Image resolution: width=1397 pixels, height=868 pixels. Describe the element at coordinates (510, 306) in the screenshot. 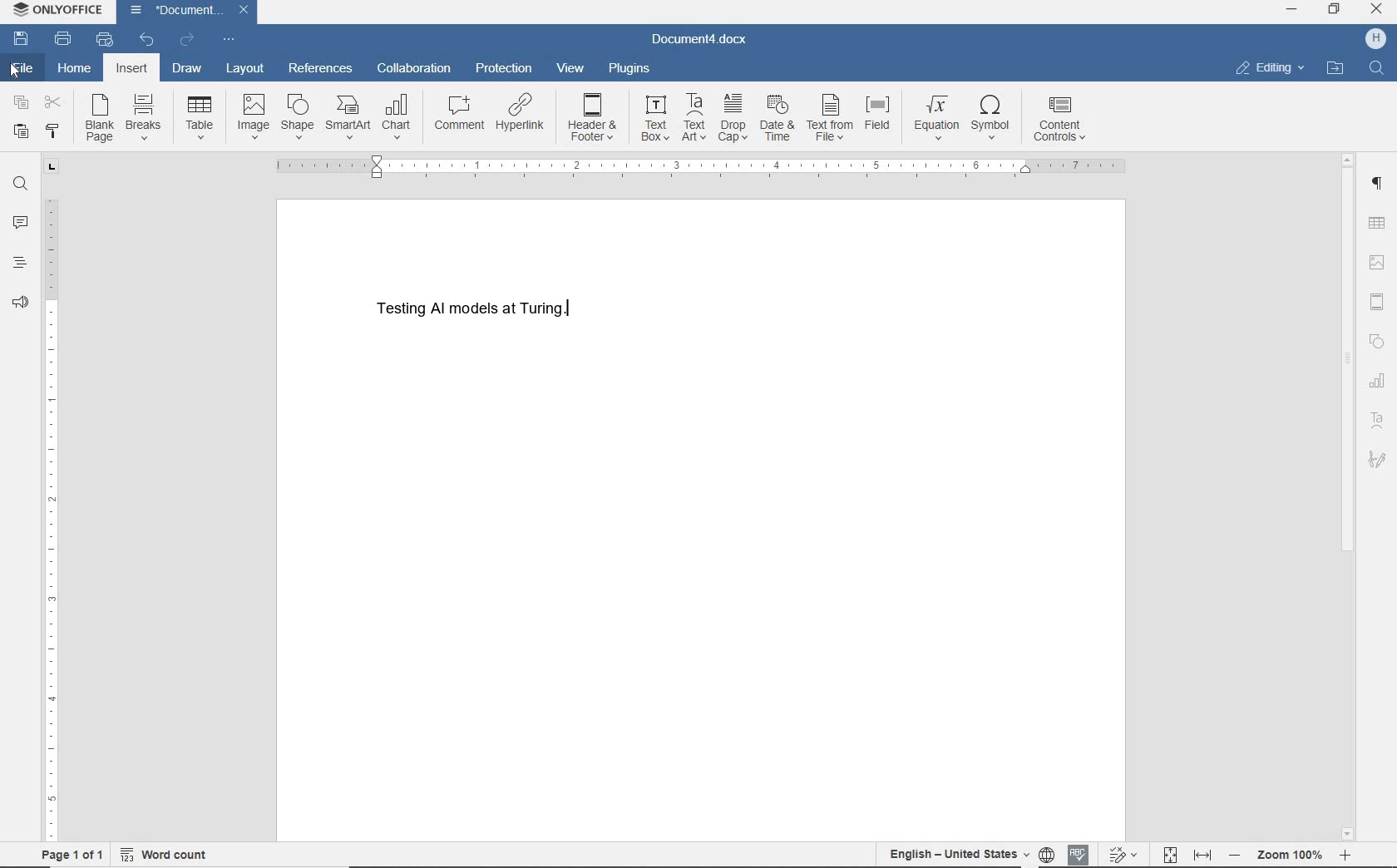

I see `Testing AI models at Turing.(text)` at that location.